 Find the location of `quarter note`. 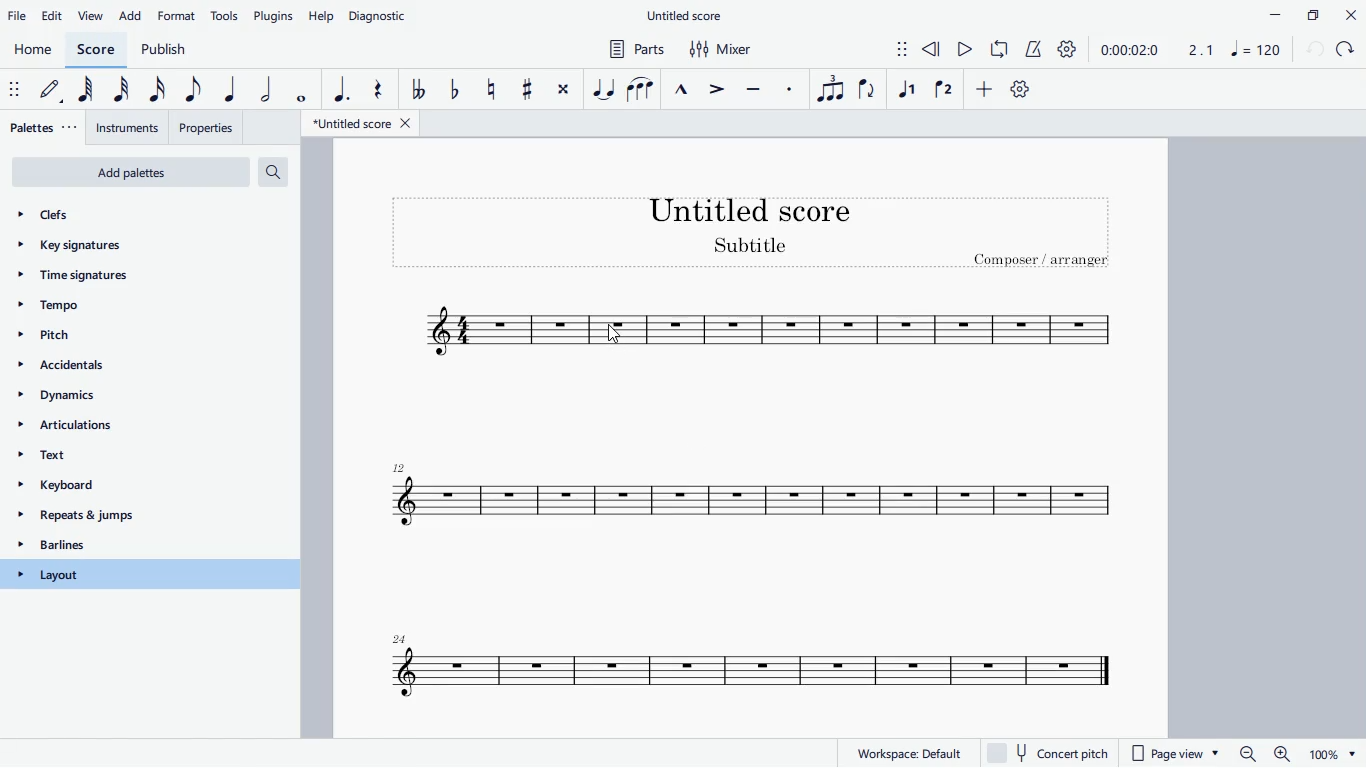

quarter note is located at coordinates (228, 87).